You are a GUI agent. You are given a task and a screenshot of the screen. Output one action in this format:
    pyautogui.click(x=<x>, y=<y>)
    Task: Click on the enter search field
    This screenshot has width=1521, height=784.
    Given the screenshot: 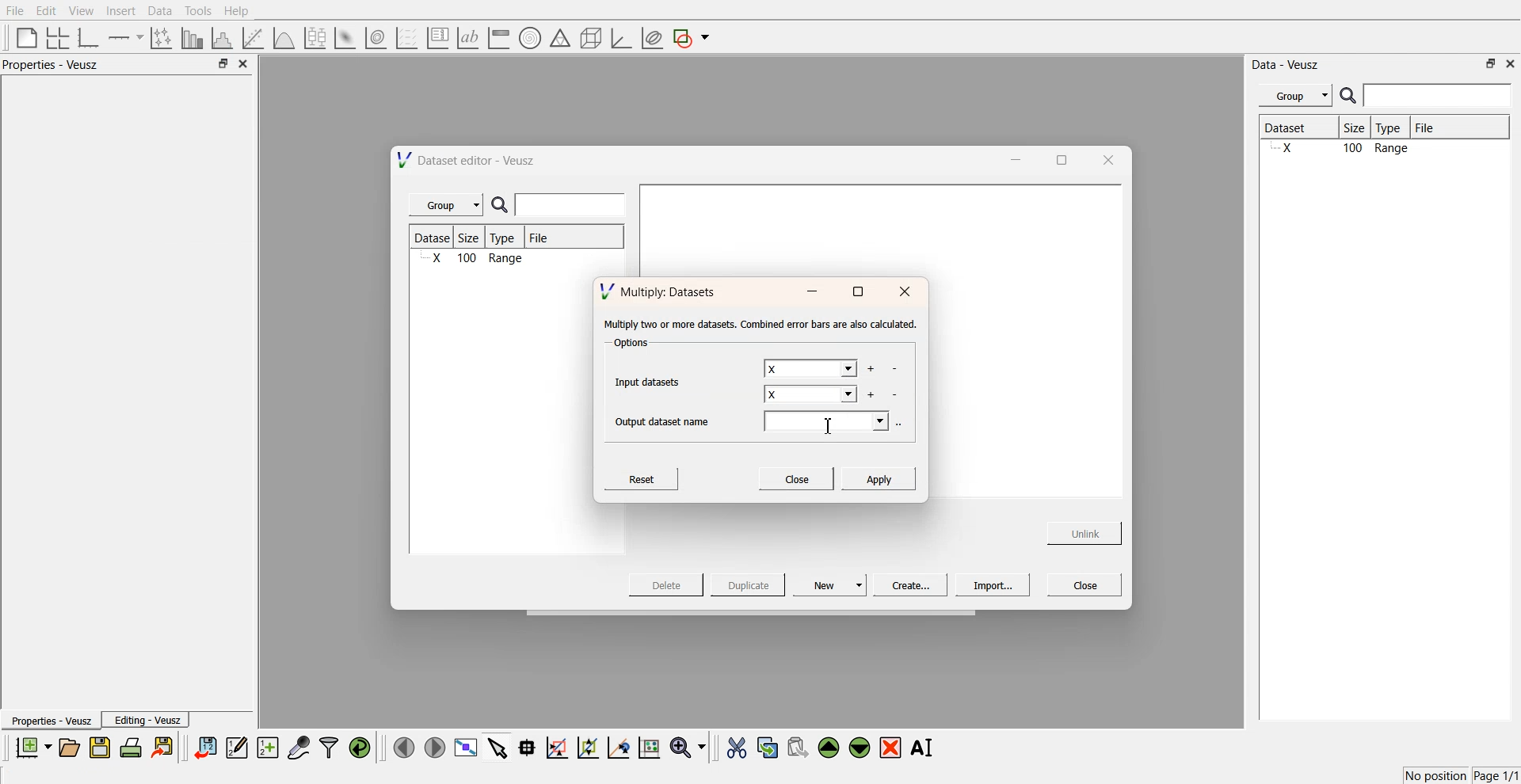 What is the action you would take?
    pyautogui.click(x=573, y=205)
    